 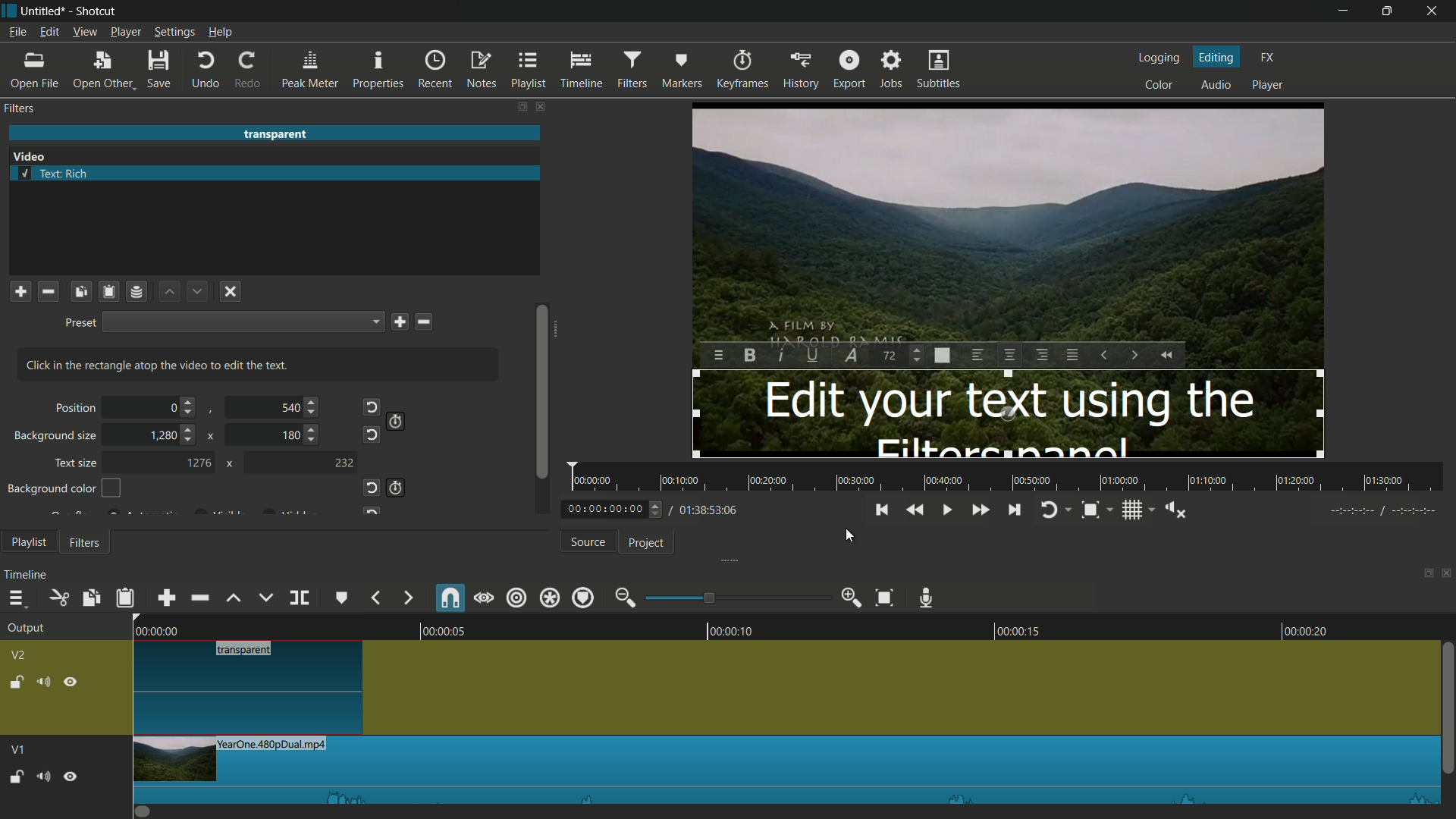 What do you see at coordinates (275, 134) in the screenshot?
I see `transparent` at bounding box center [275, 134].